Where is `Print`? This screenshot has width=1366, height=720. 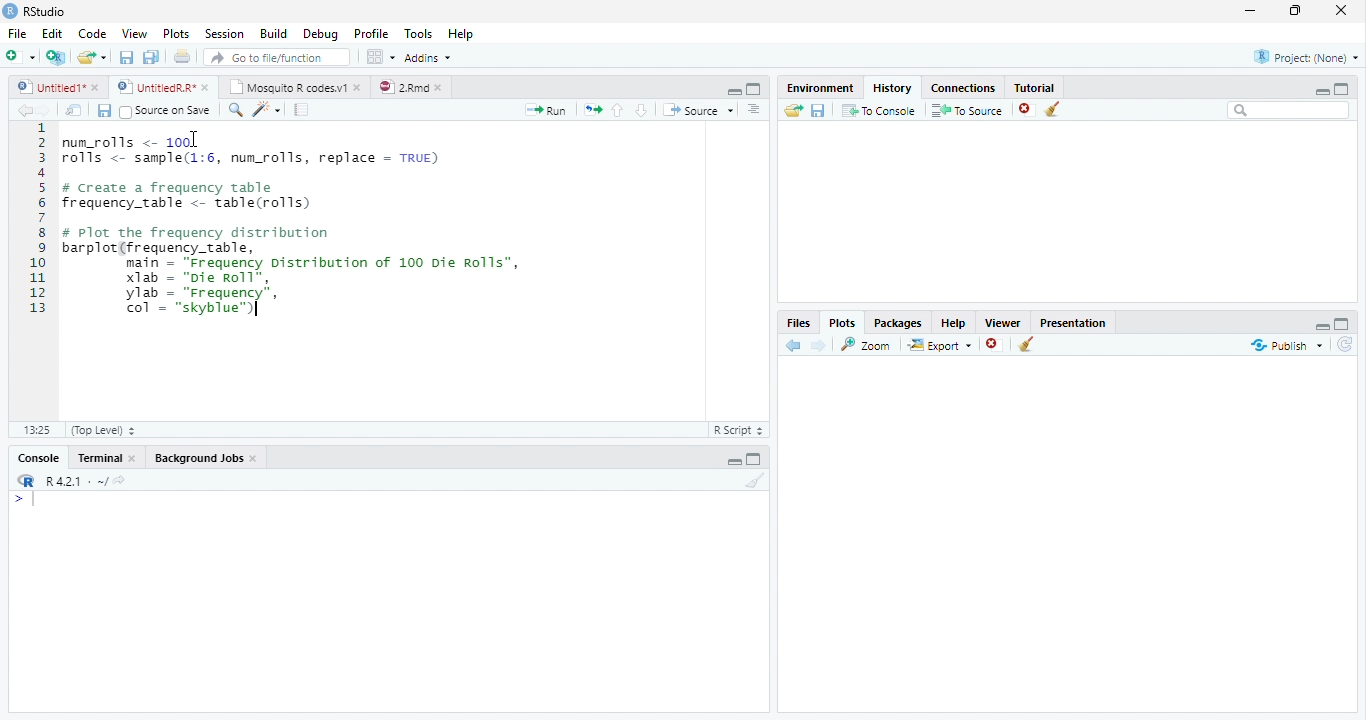 Print is located at coordinates (182, 56).